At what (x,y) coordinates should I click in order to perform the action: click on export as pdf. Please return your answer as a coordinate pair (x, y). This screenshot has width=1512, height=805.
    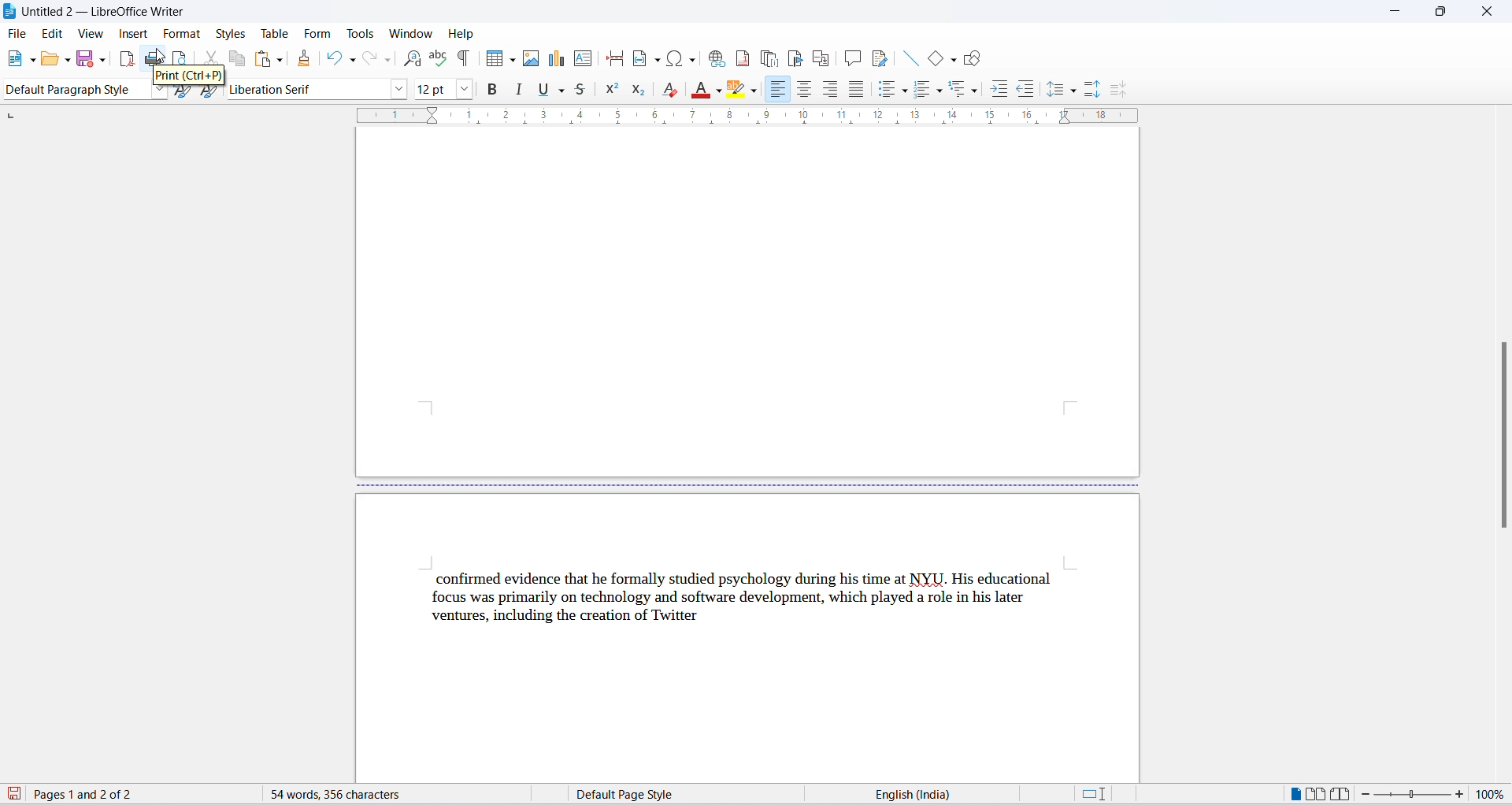
    Looking at the image, I should click on (127, 61).